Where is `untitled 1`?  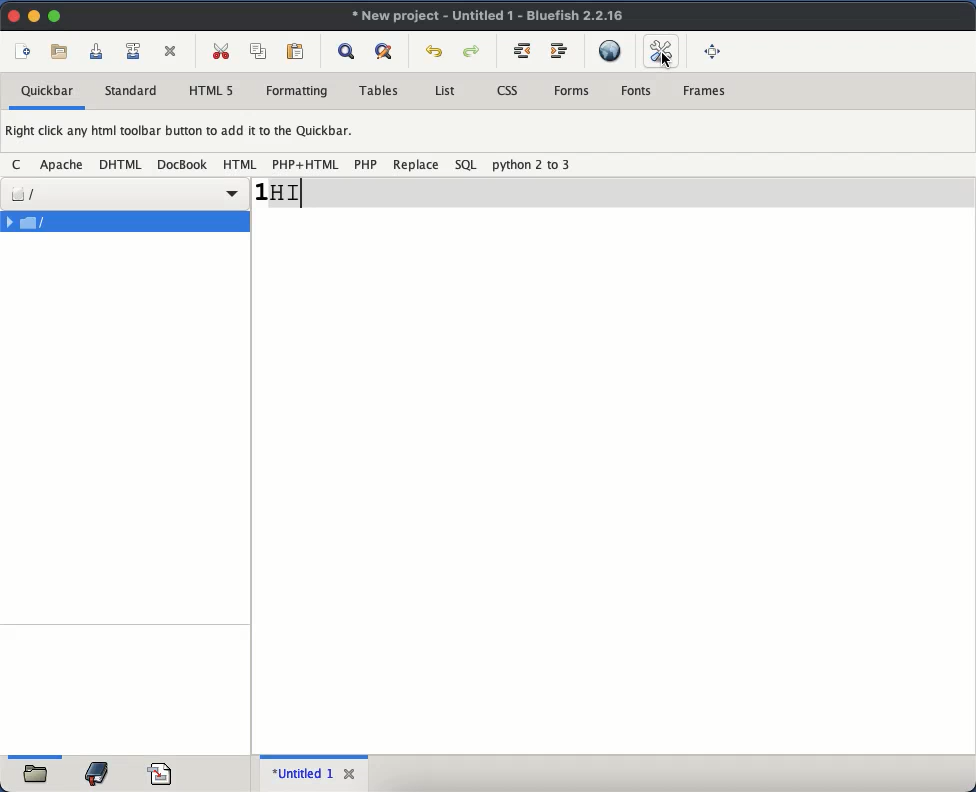
untitled 1 is located at coordinates (305, 773).